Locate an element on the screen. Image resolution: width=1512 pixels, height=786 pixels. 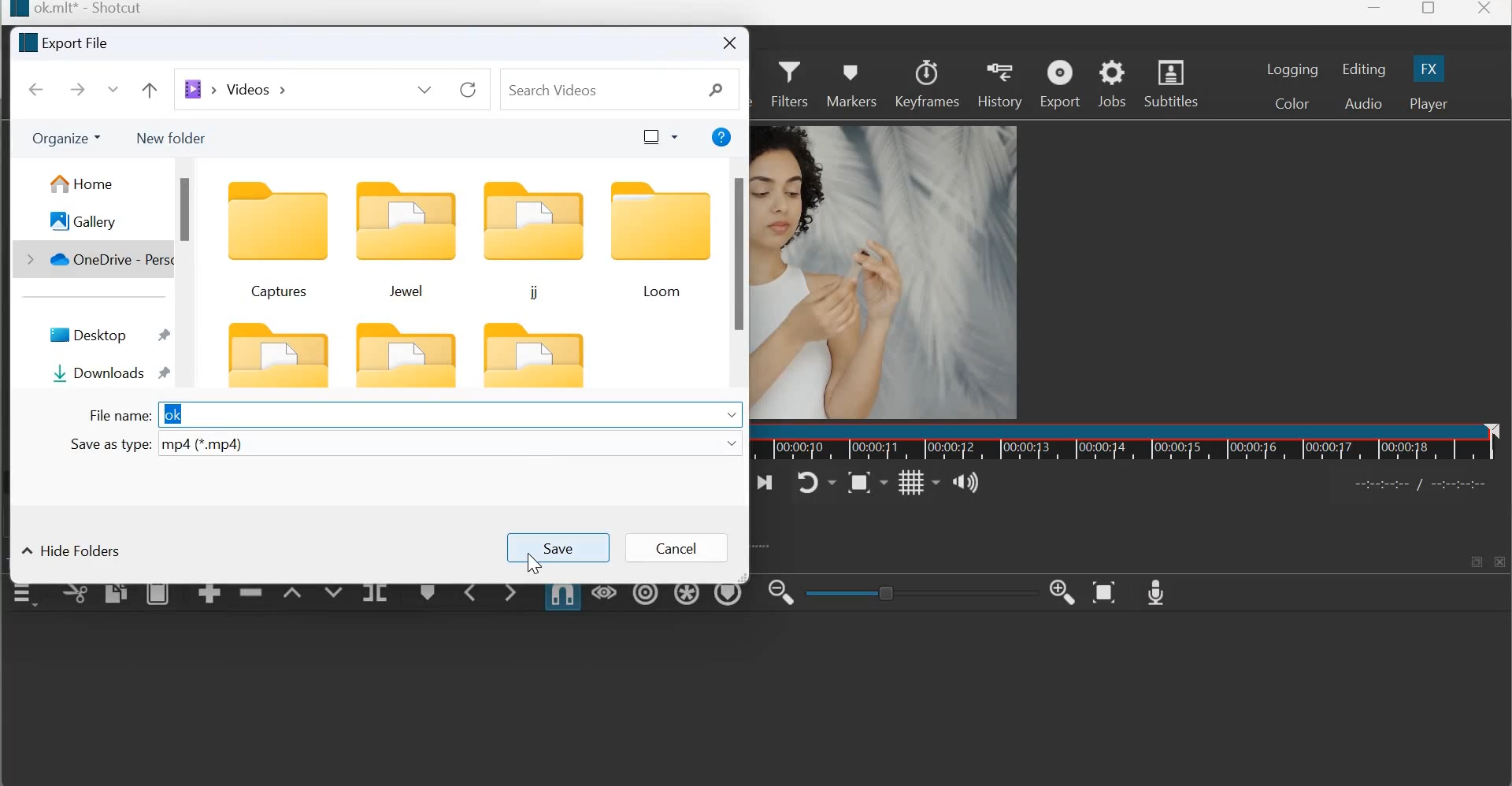
folder is located at coordinates (407, 357).